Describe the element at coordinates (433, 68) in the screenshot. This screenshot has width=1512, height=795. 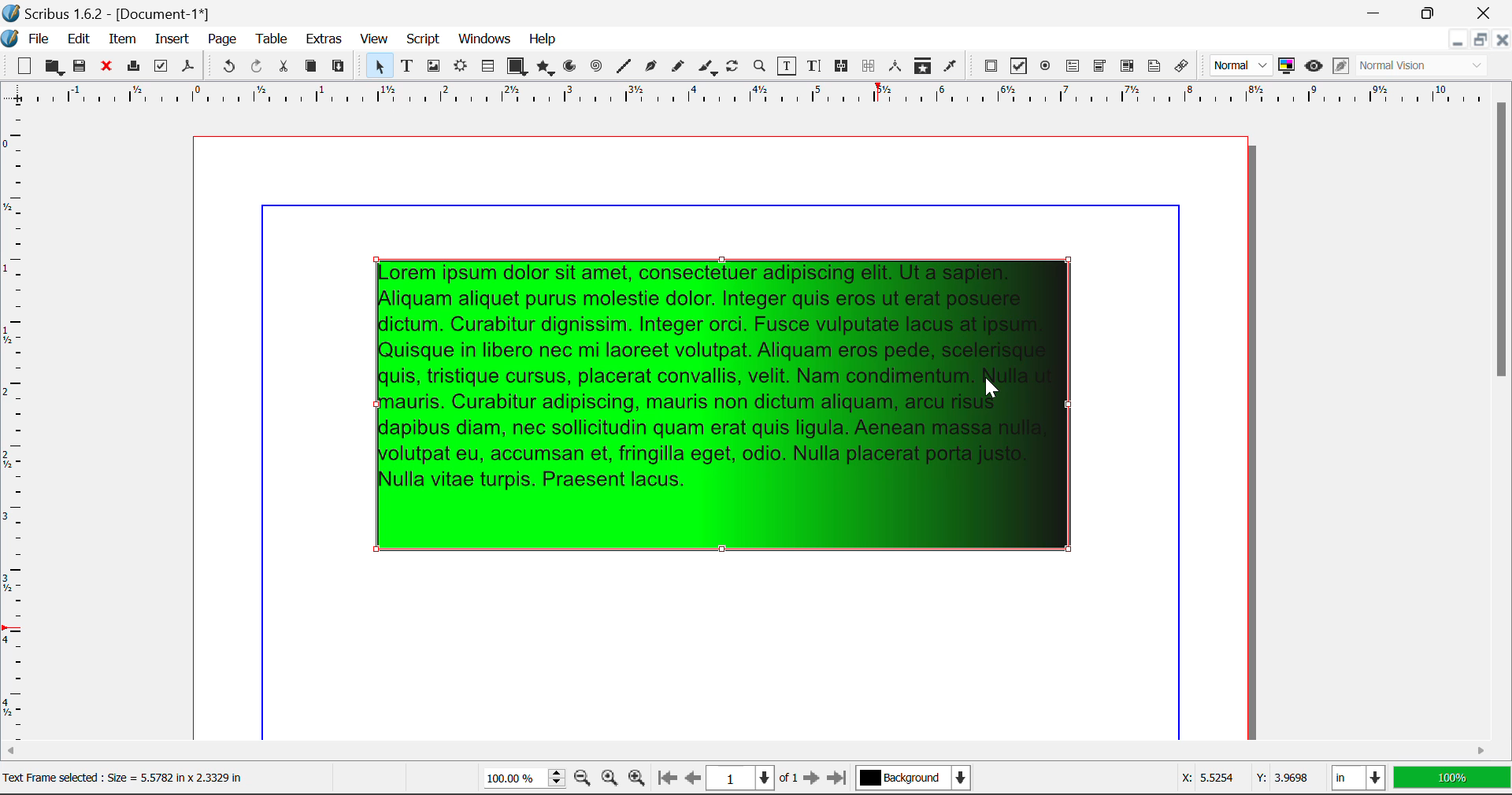
I see `Image Frame` at that location.